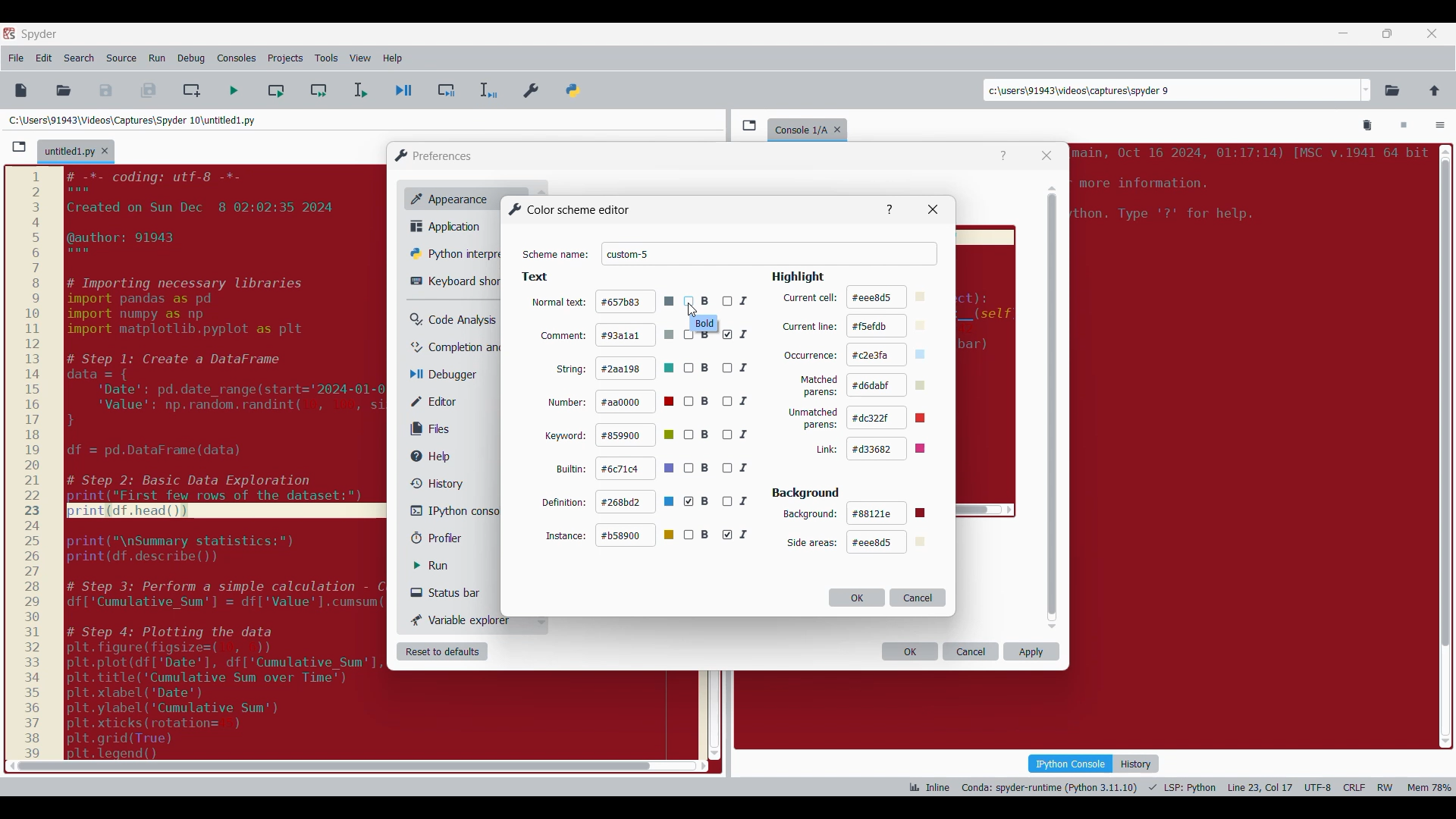 The height and width of the screenshot is (819, 1456). Describe the element at coordinates (770, 254) in the screenshot. I see `Scheme name` at that location.